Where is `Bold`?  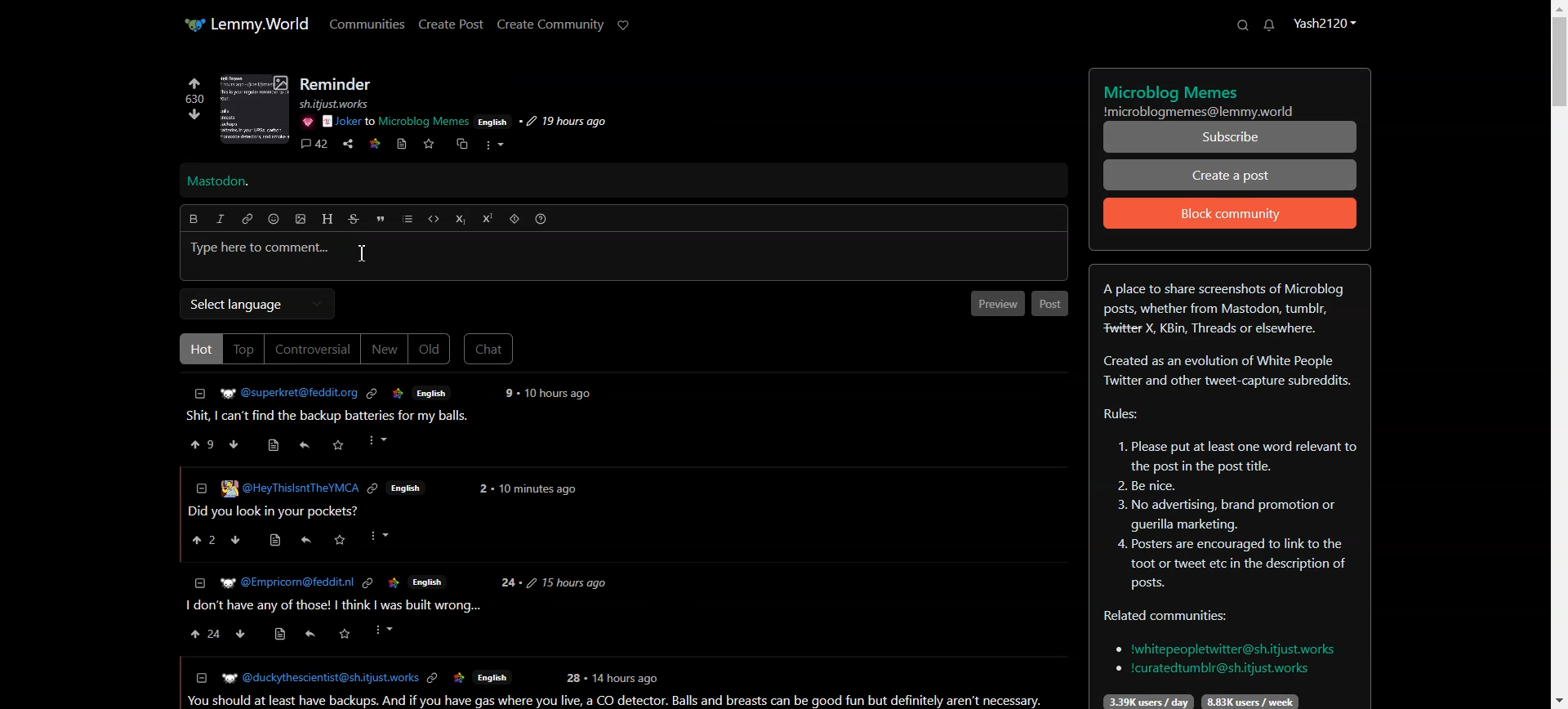
Bold is located at coordinates (193, 219).